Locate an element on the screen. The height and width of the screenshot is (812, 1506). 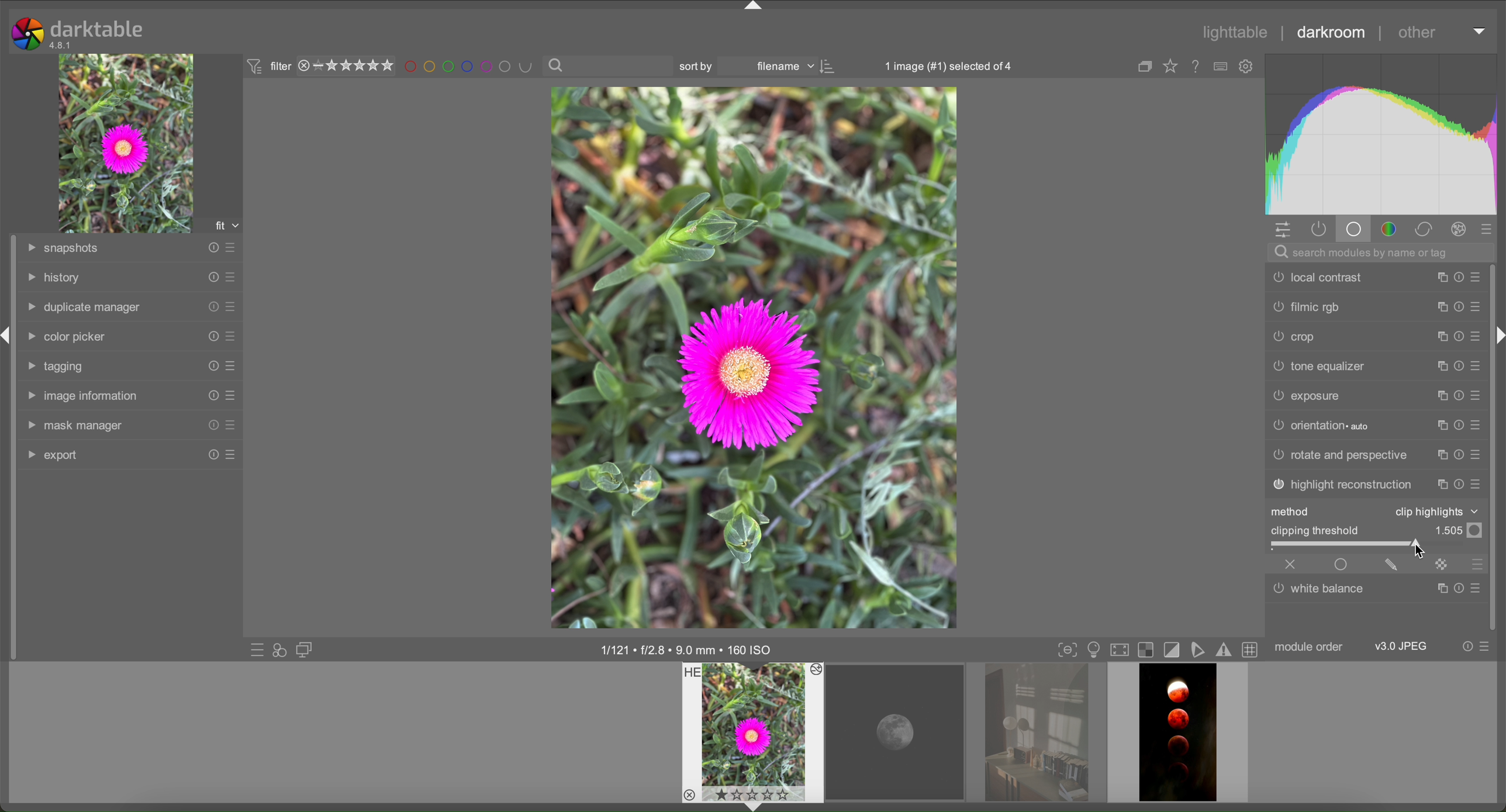
copy is located at coordinates (1441, 485).